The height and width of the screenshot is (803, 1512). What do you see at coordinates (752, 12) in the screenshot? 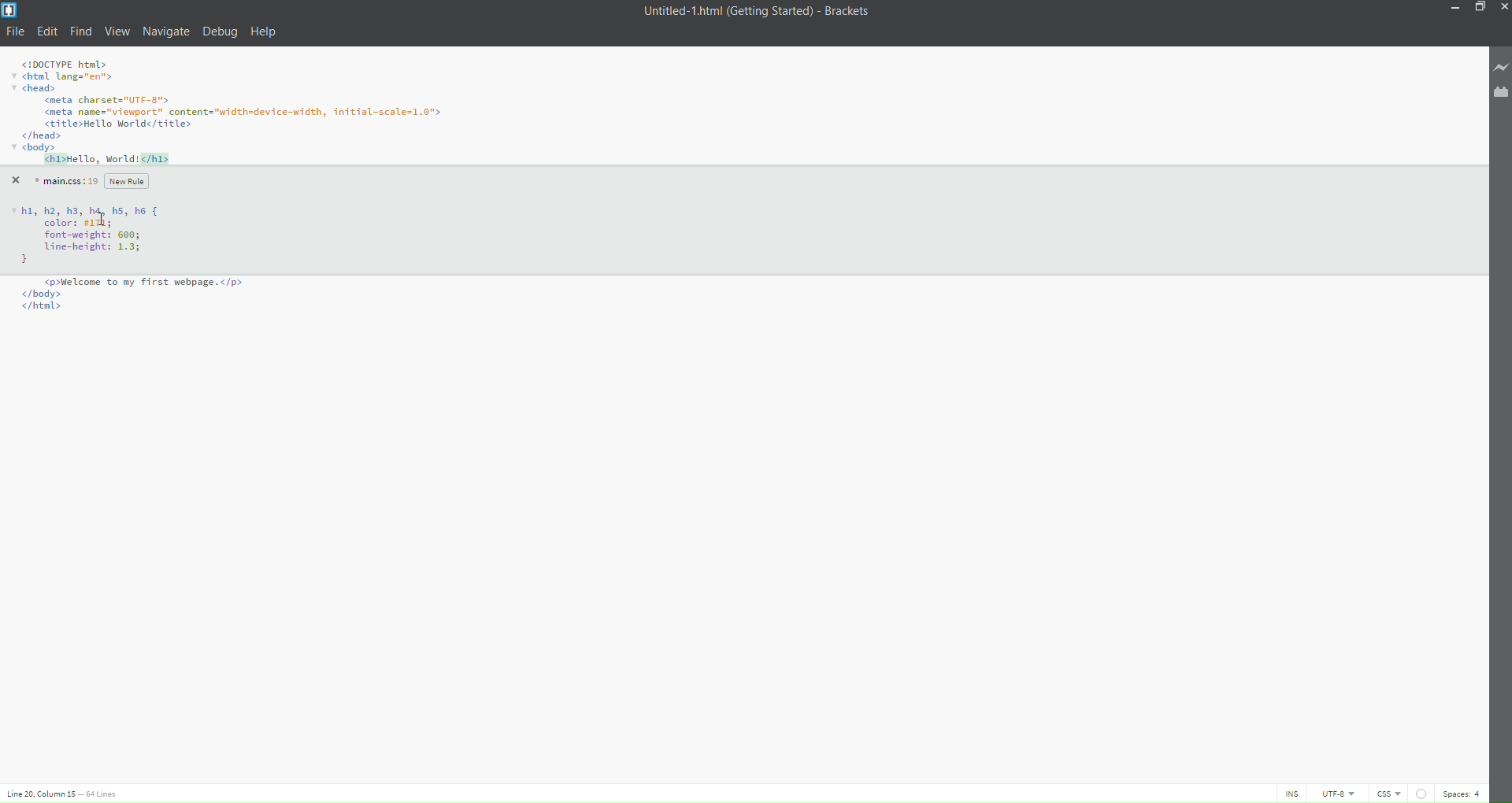
I see `title` at bounding box center [752, 12].